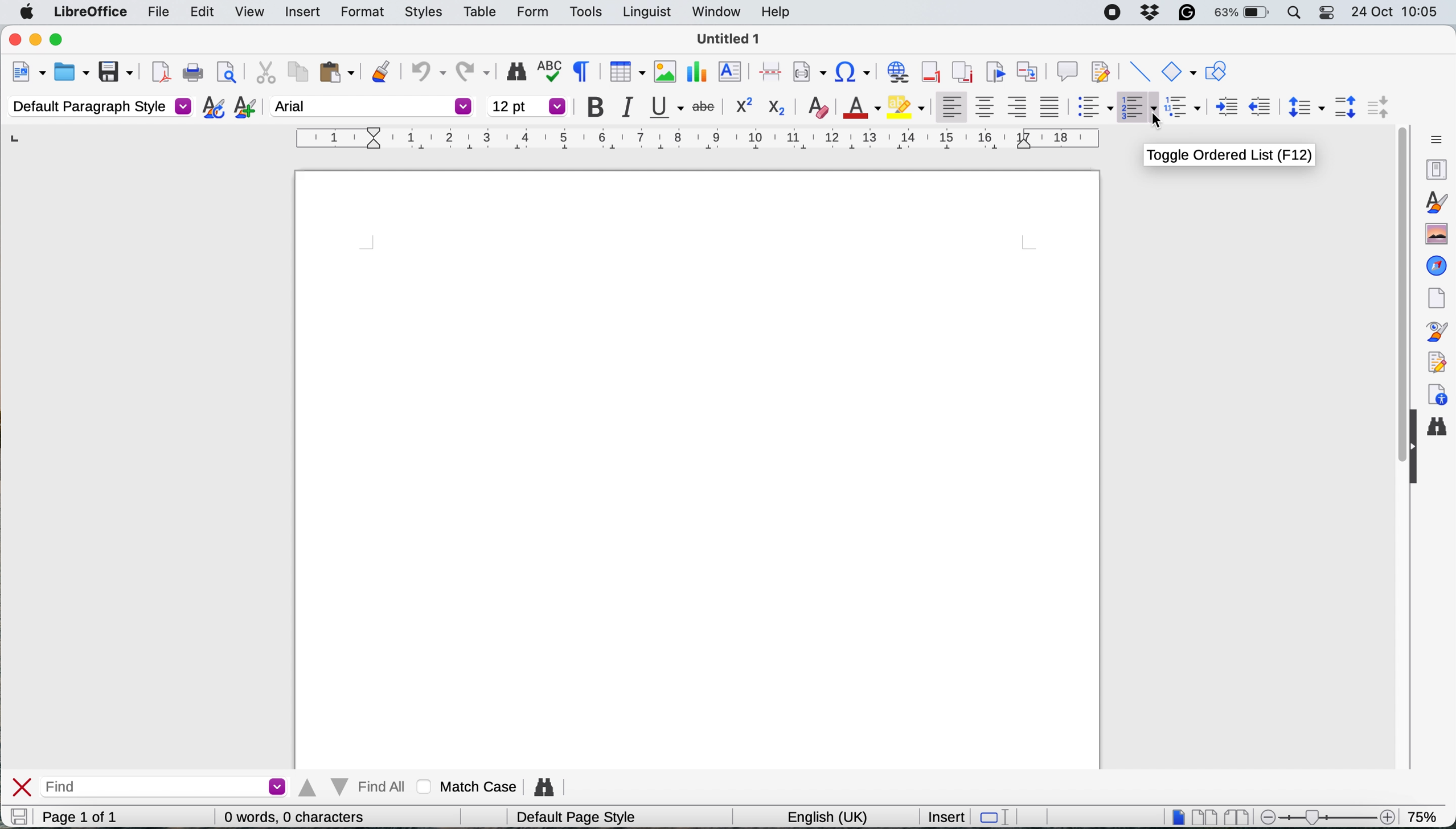  I want to click on show draw functions, so click(1215, 72).